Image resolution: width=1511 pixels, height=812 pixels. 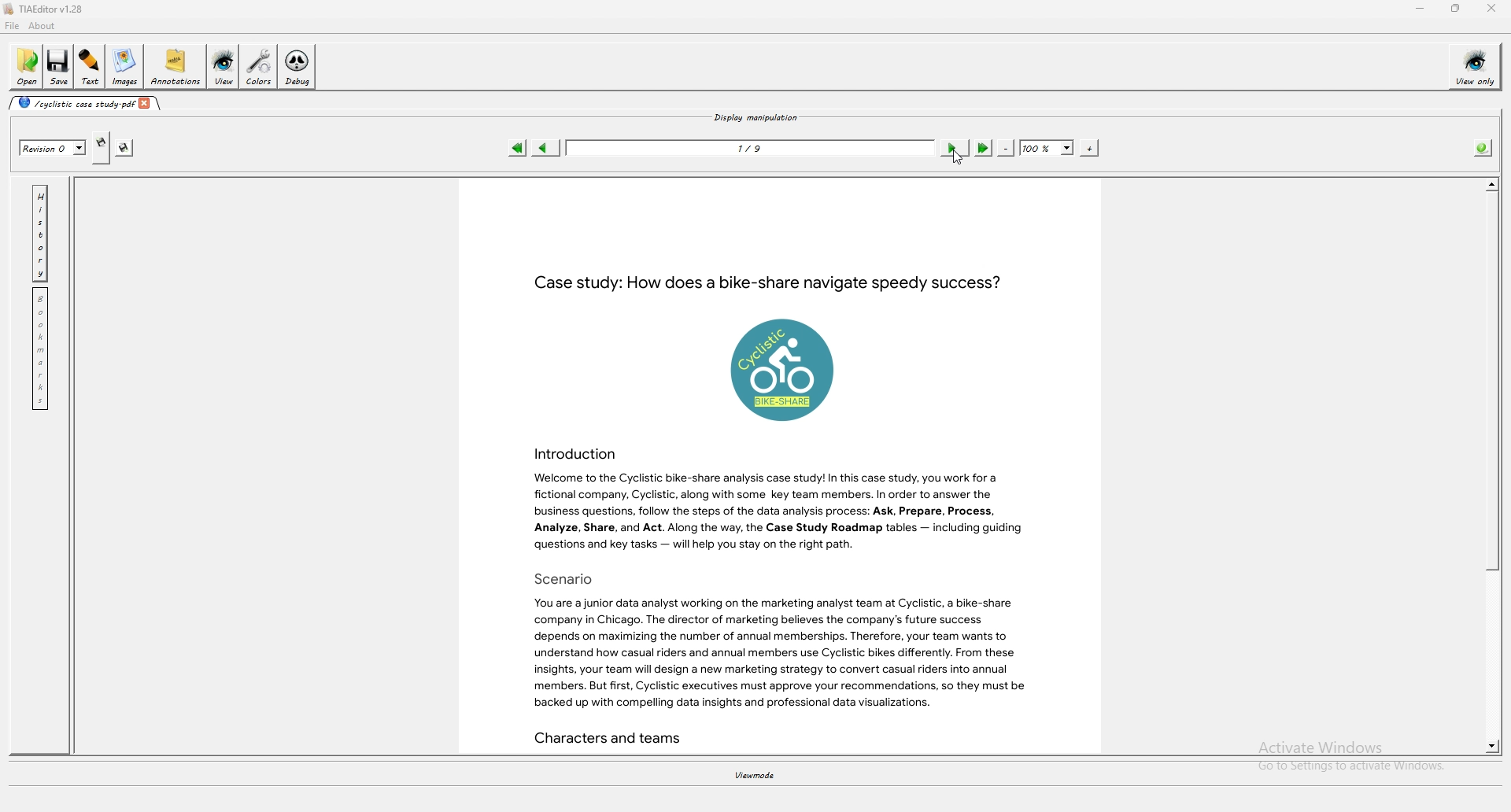 What do you see at coordinates (12, 26) in the screenshot?
I see `file` at bounding box center [12, 26].